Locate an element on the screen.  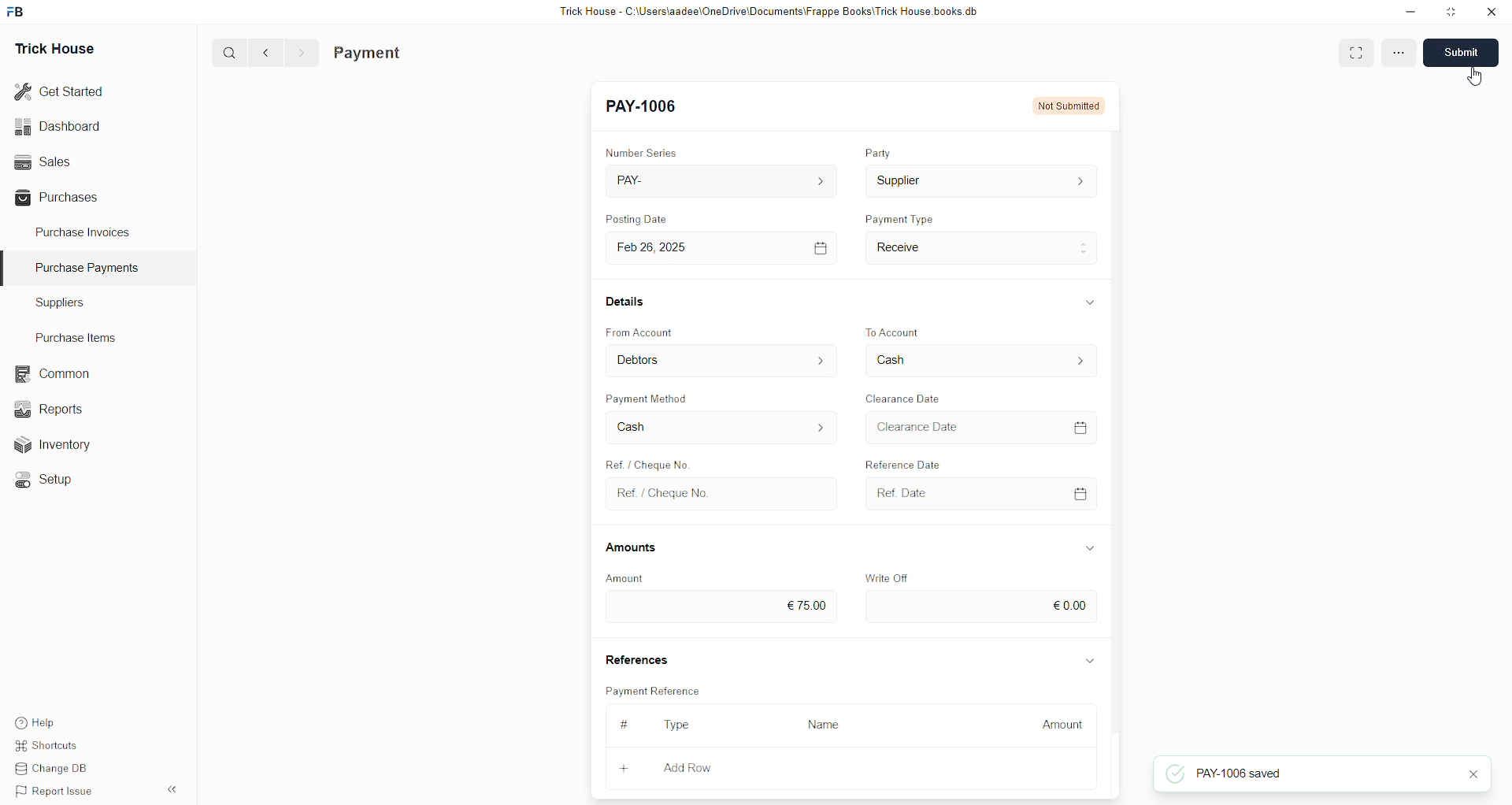
more is located at coordinates (1397, 56).